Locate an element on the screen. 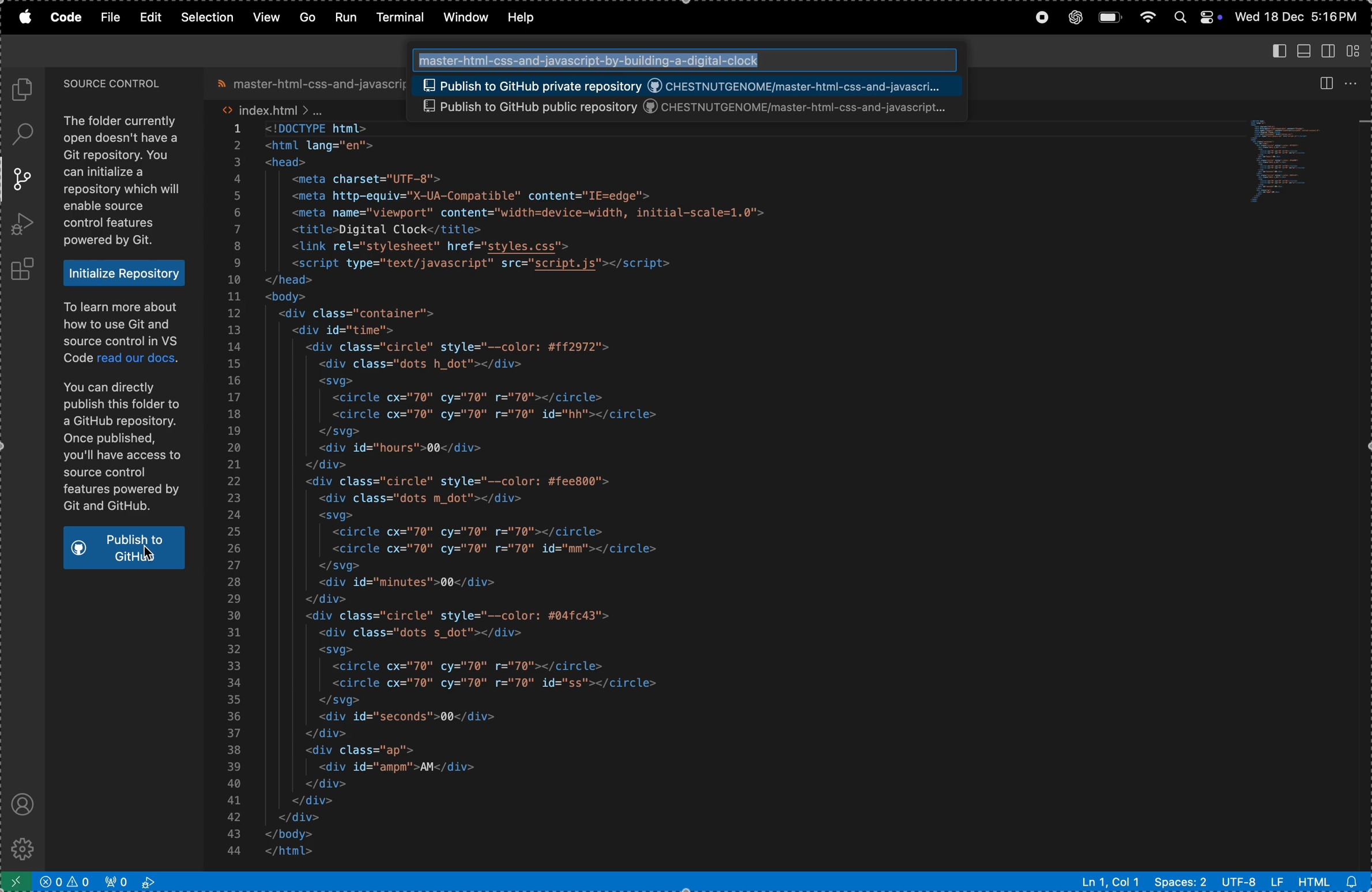 The height and width of the screenshot is (892, 1372). </div> is located at coordinates (338, 465).